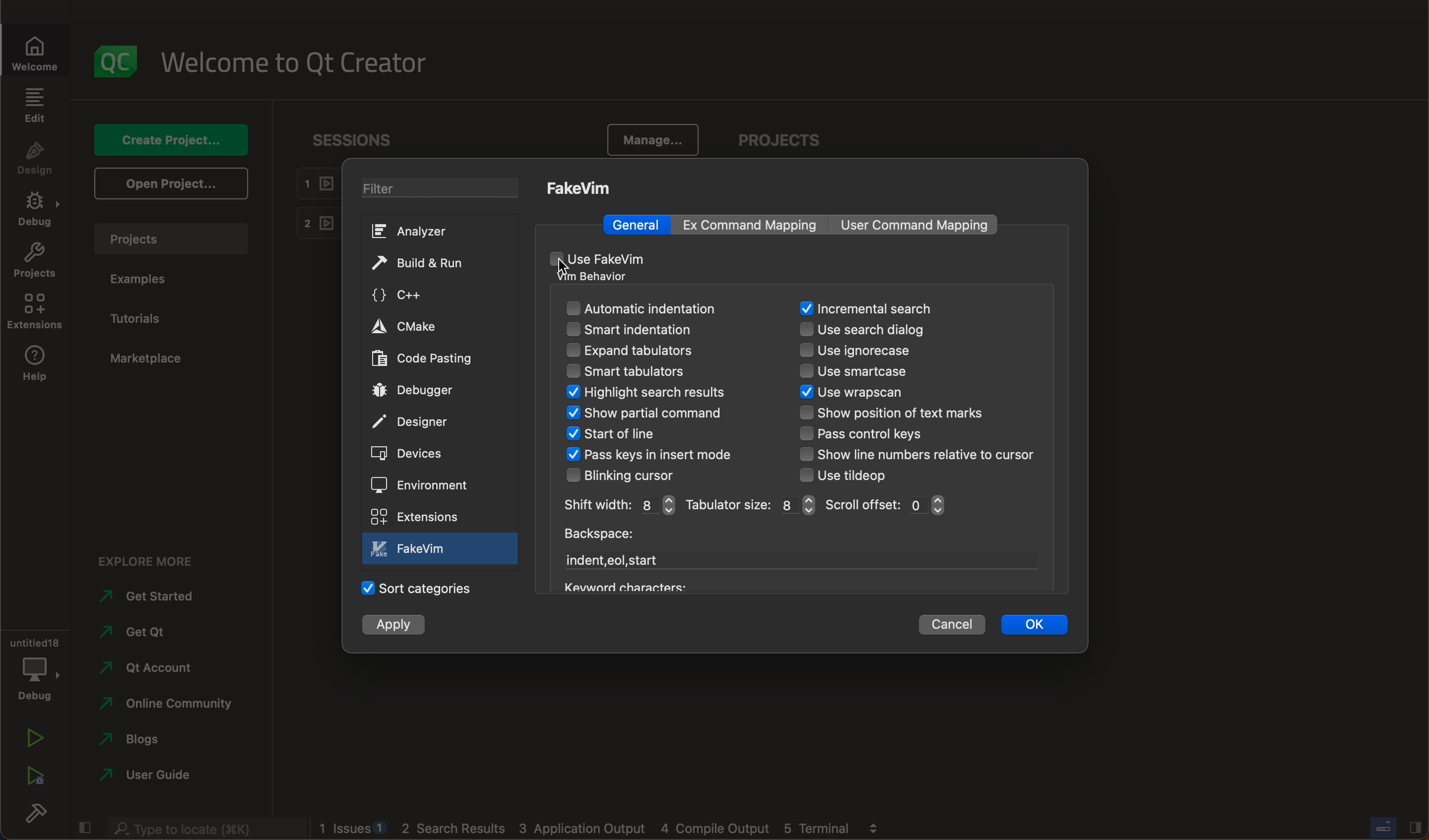 The height and width of the screenshot is (840, 1429). What do you see at coordinates (171, 137) in the screenshot?
I see `create` at bounding box center [171, 137].